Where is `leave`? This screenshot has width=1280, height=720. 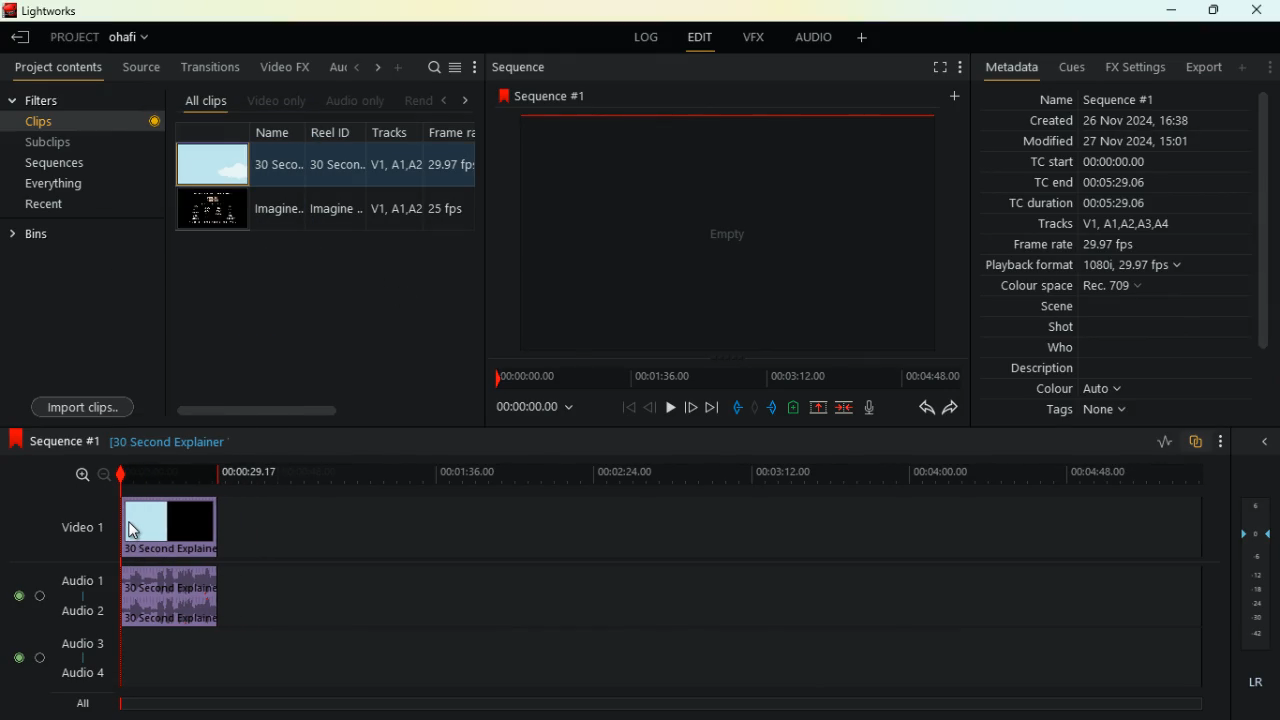 leave is located at coordinates (21, 39).